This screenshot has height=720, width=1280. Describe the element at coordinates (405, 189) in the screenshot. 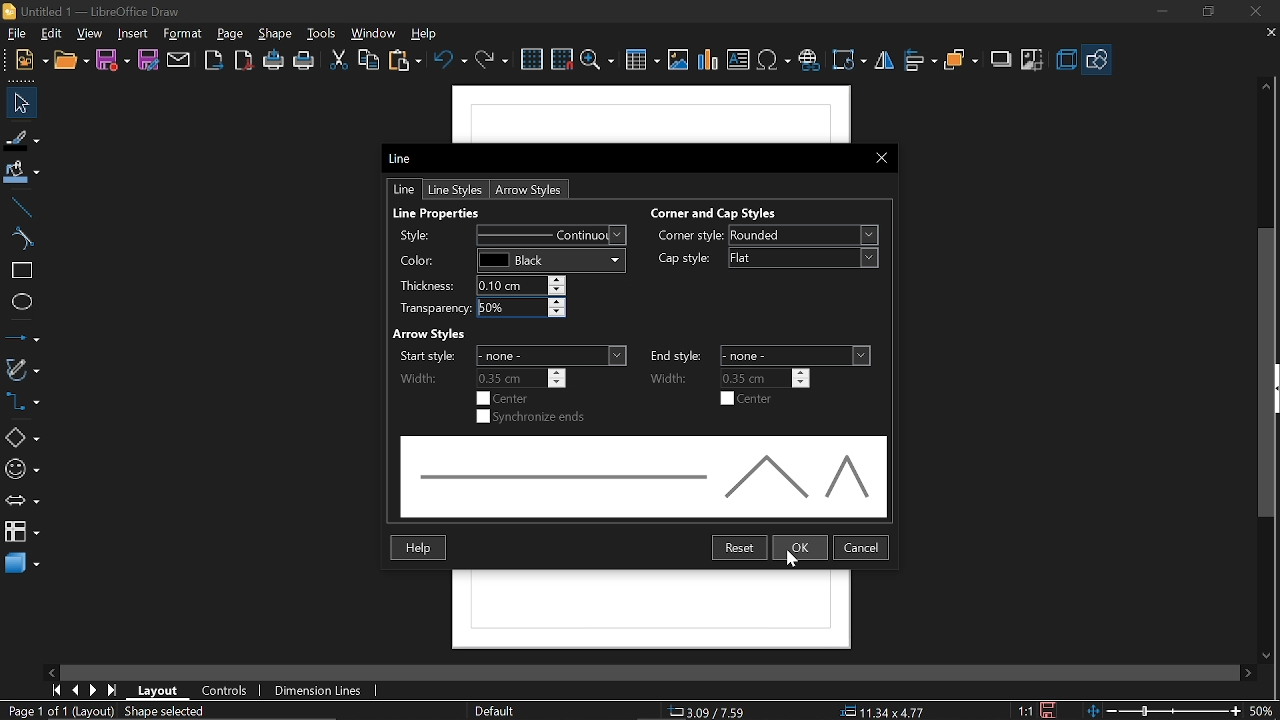

I see `Line` at that location.